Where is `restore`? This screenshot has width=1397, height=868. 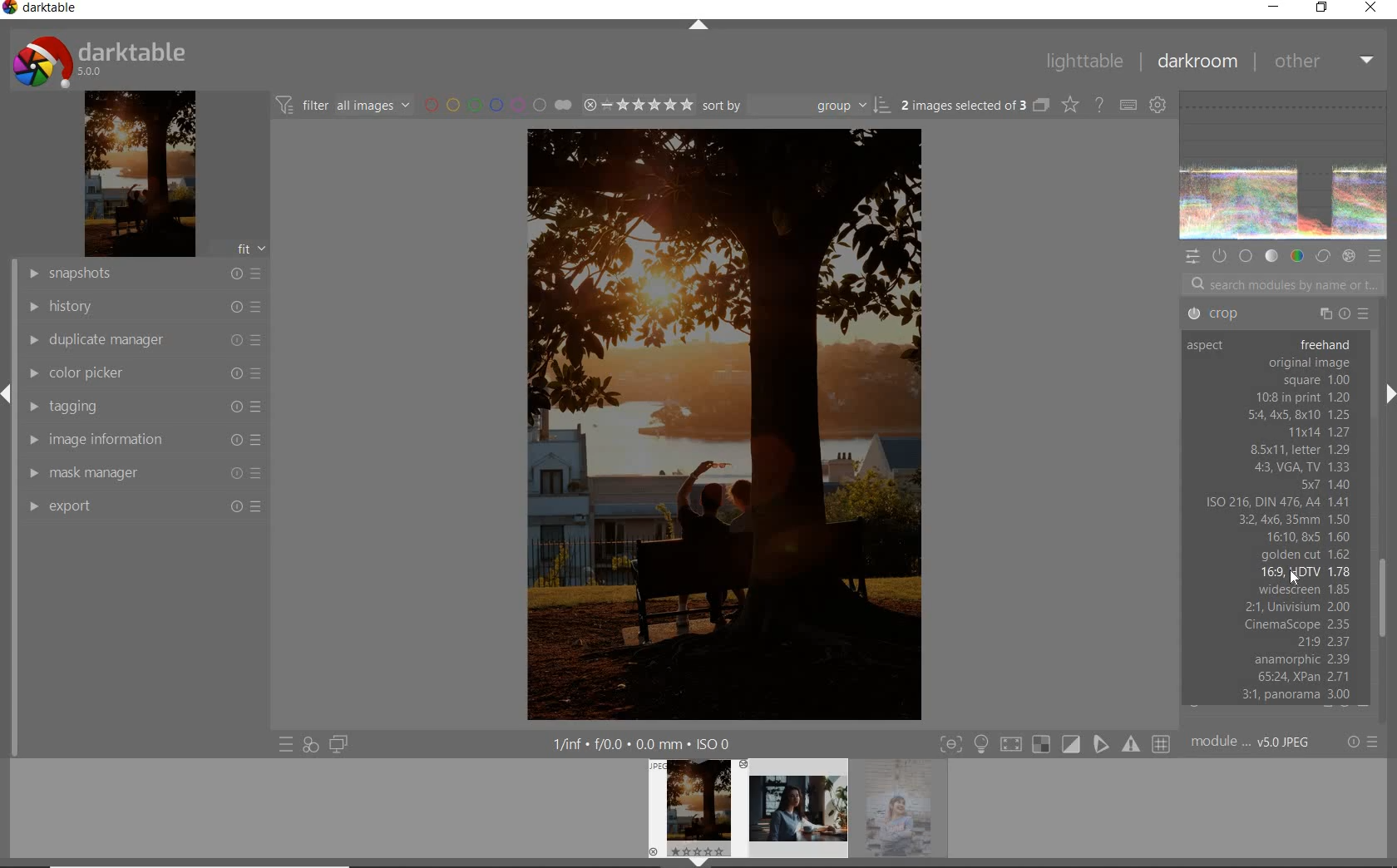
restore is located at coordinates (1321, 8).